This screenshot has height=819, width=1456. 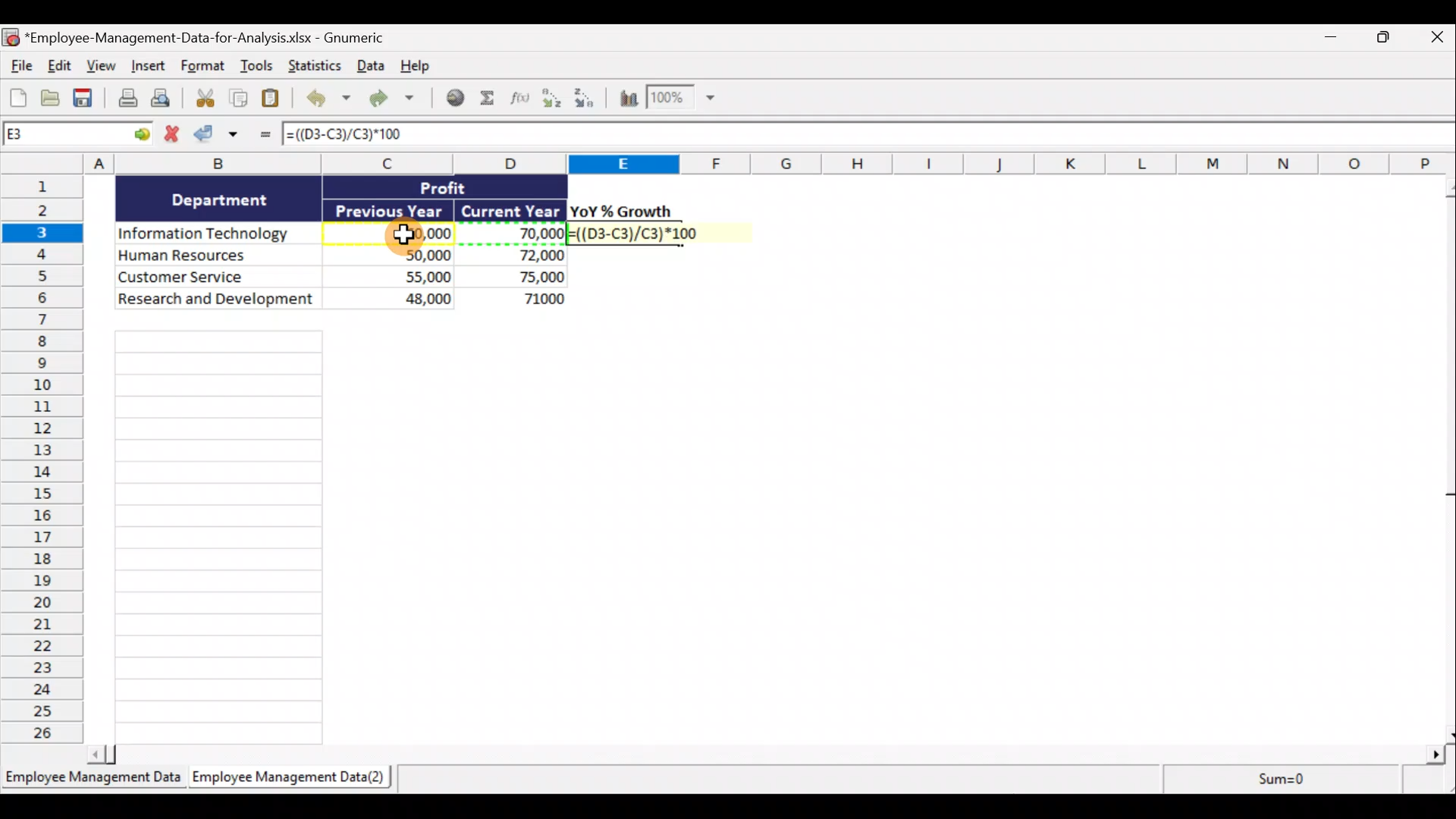 I want to click on Scroll bar, so click(x=1447, y=460).